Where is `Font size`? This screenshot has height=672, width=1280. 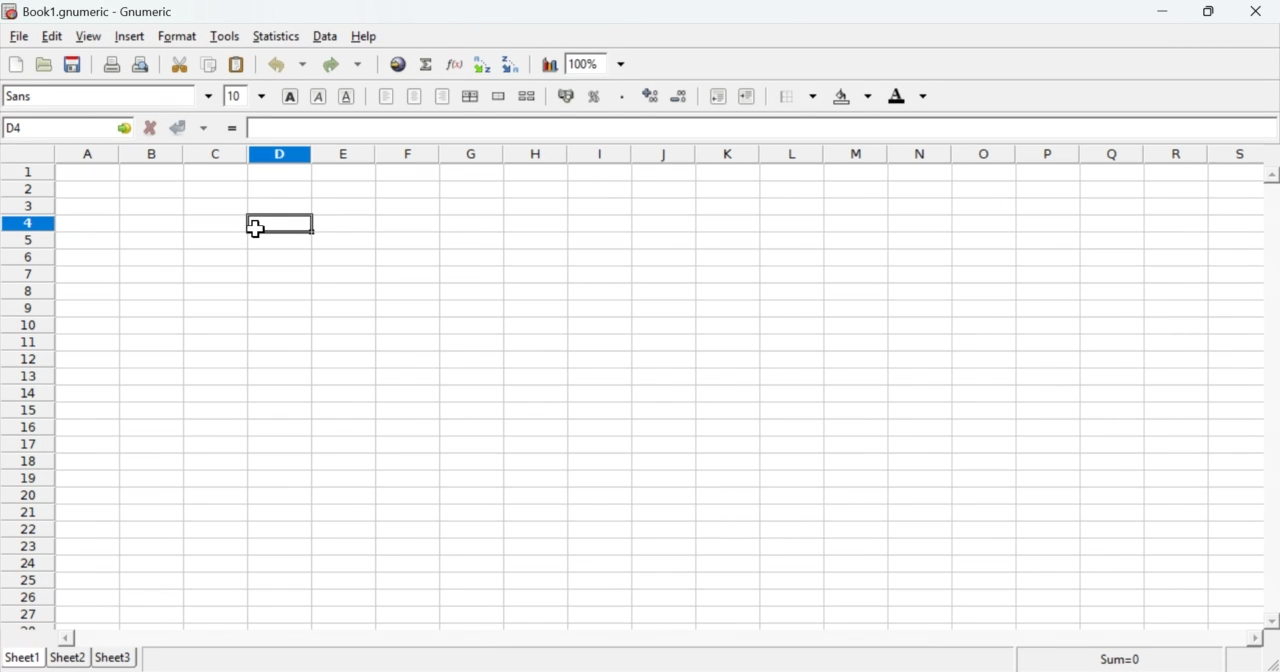
Font size is located at coordinates (245, 97).